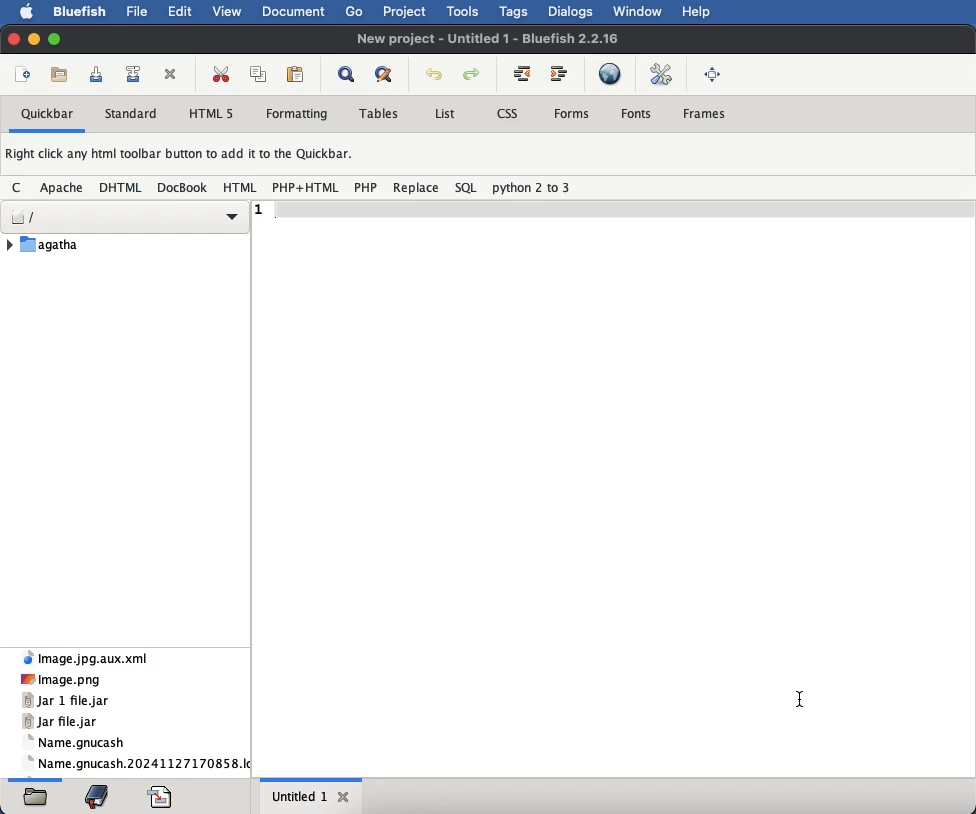  What do you see at coordinates (134, 115) in the screenshot?
I see `standard ` at bounding box center [134, 115].